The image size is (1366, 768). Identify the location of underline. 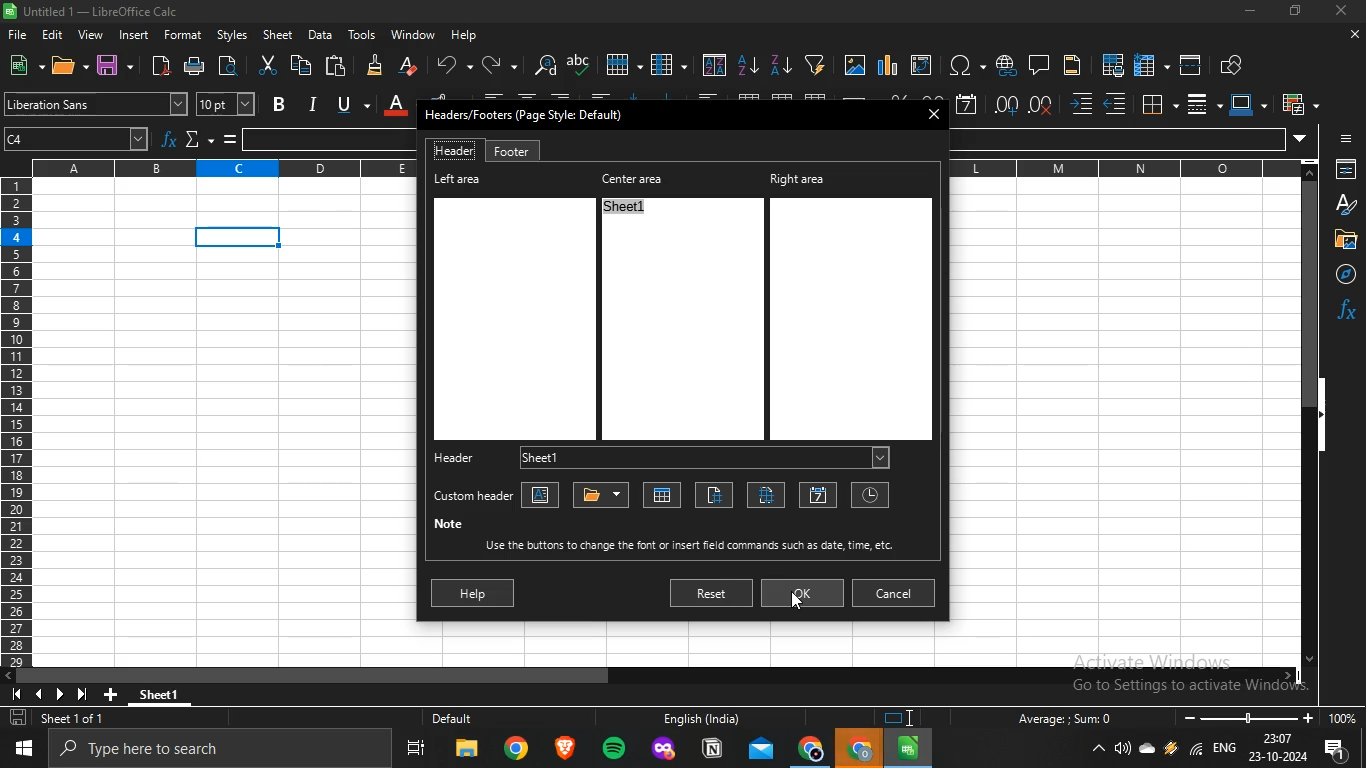
(344, 102).